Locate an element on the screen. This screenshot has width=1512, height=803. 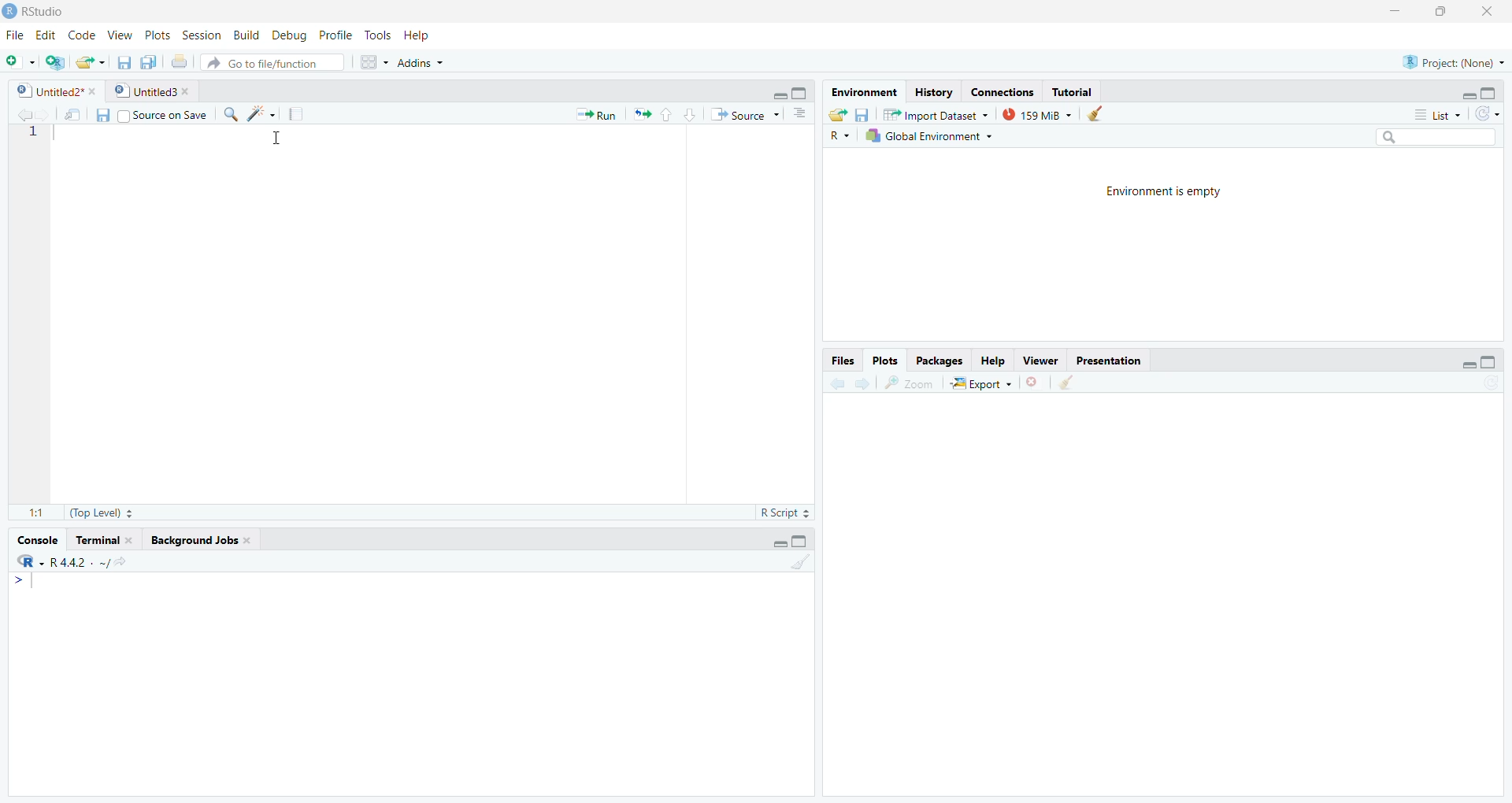
Search is located at coordinates (1433, 136).